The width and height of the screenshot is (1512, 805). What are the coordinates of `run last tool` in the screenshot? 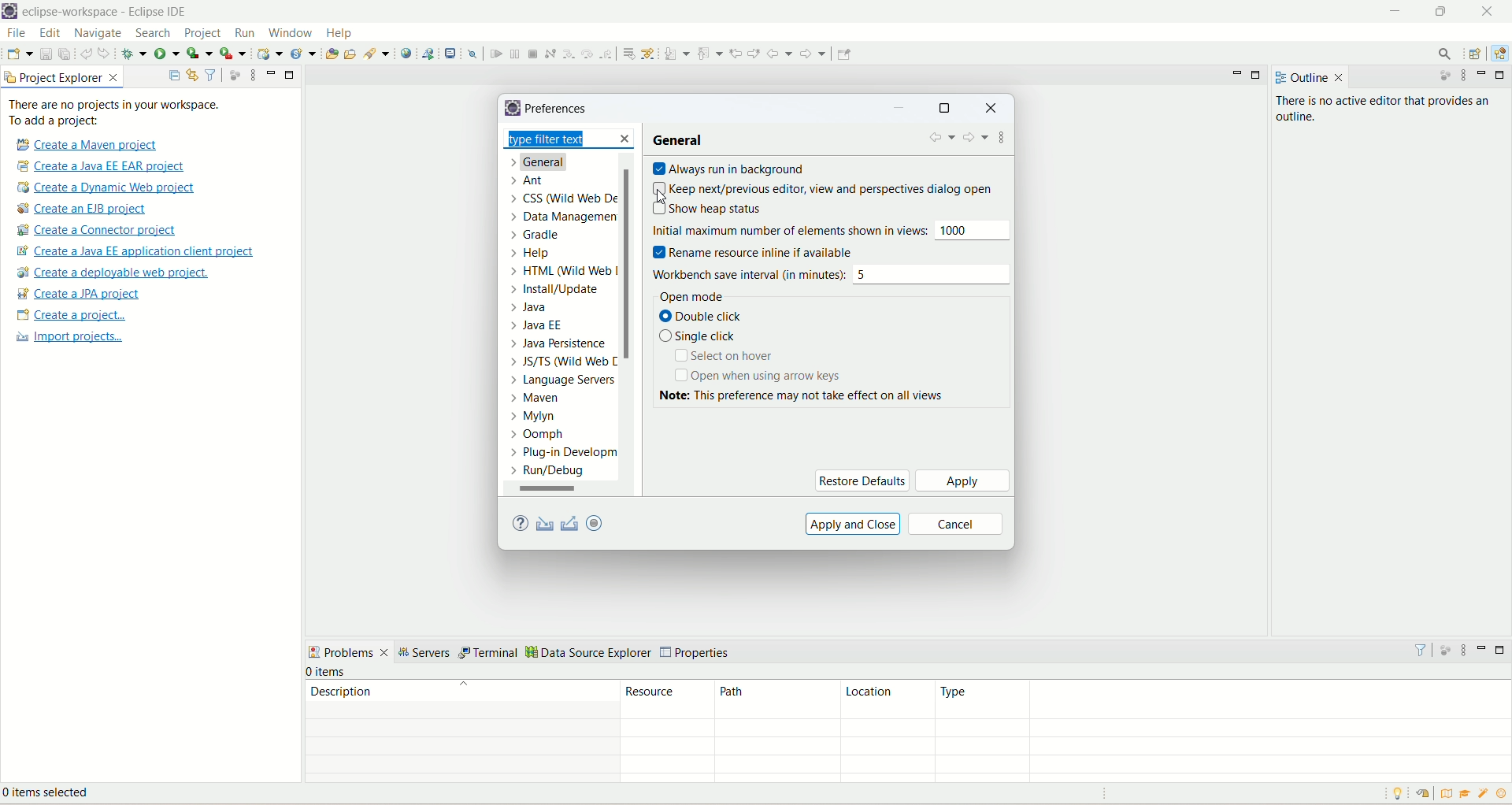 It's located at (232, 54).